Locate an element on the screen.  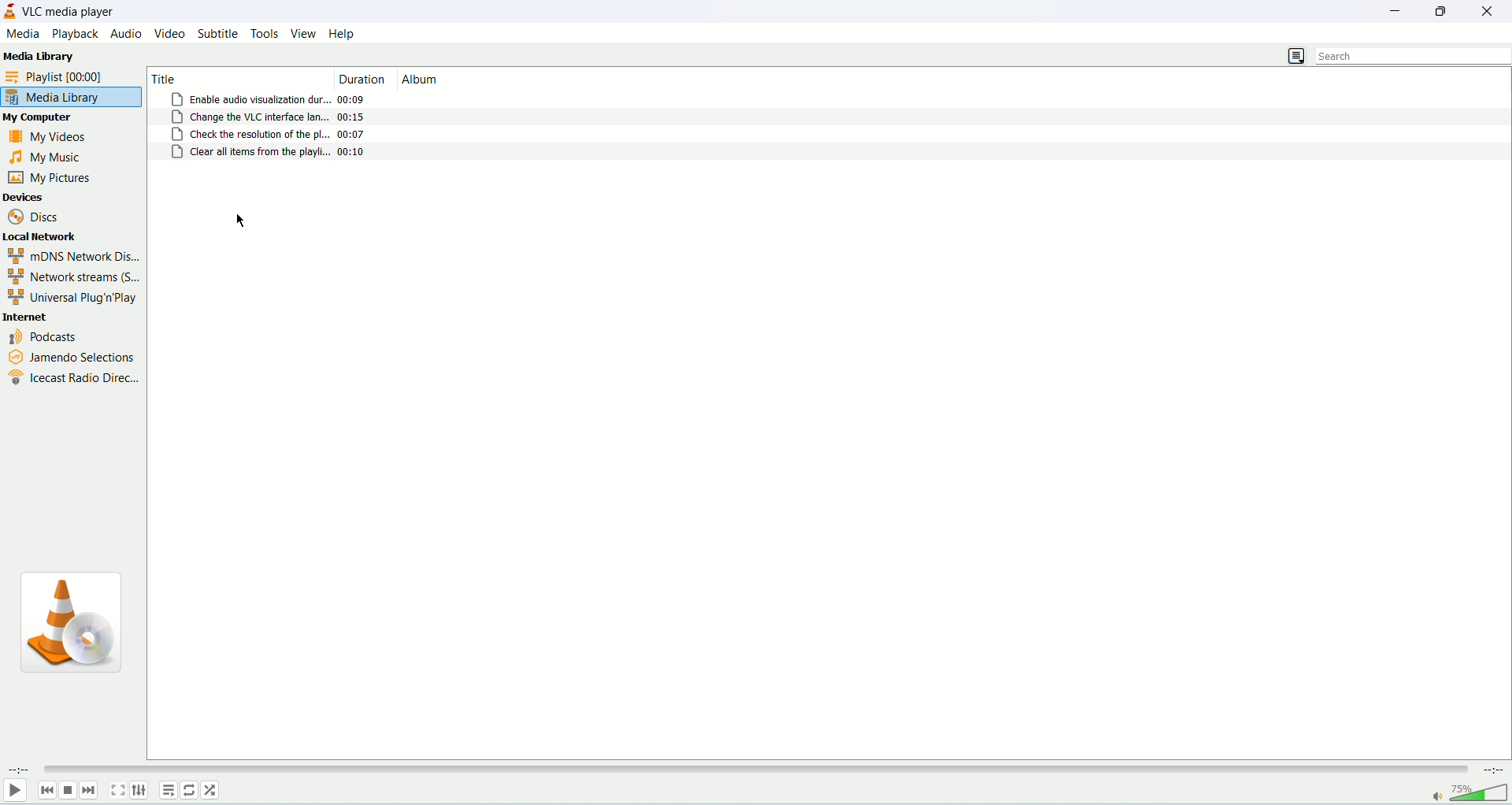
my pictures is located at coordinates (51, 176).